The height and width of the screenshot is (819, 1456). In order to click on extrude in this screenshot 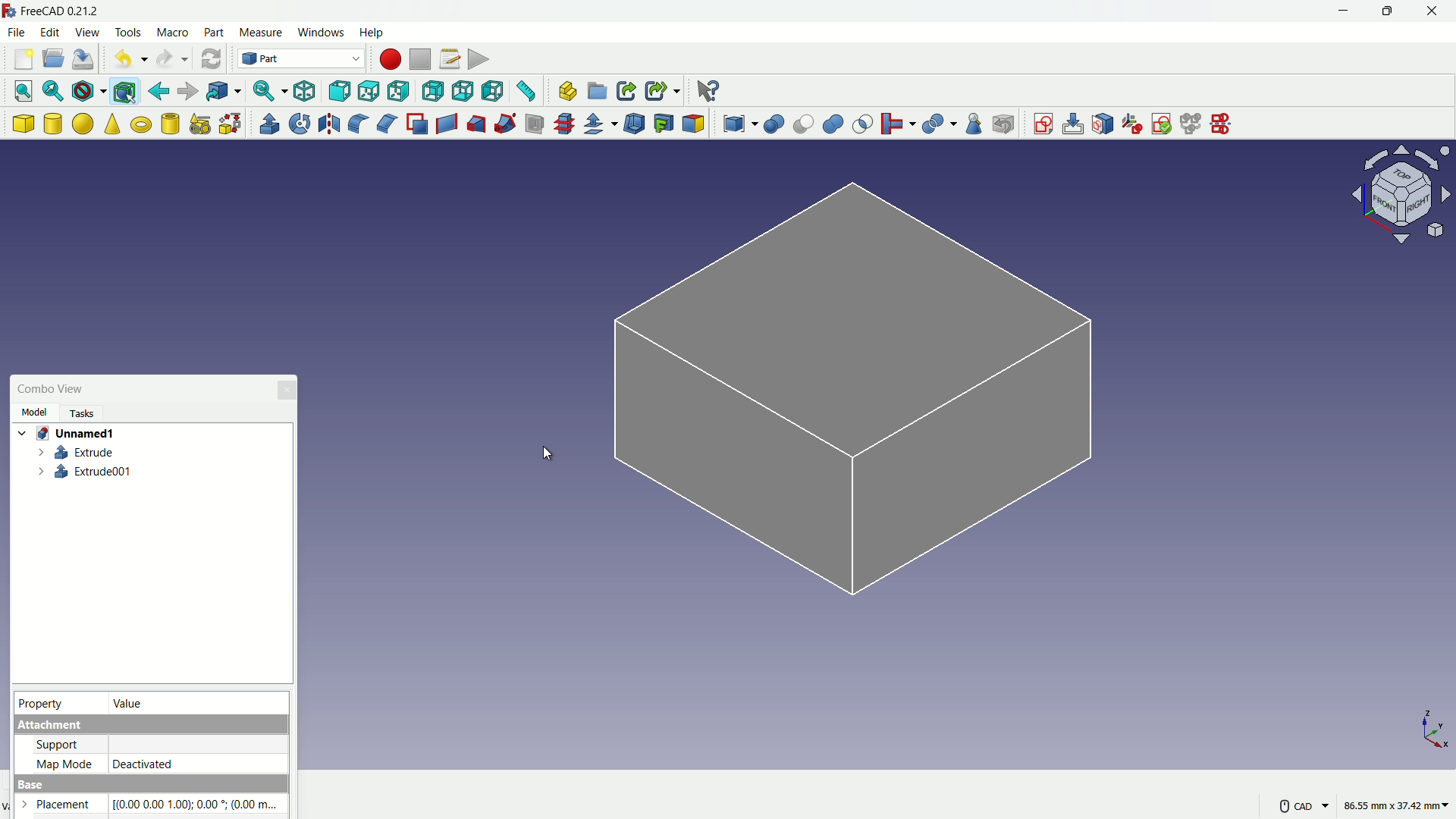, I will do `click(270, 123)`.